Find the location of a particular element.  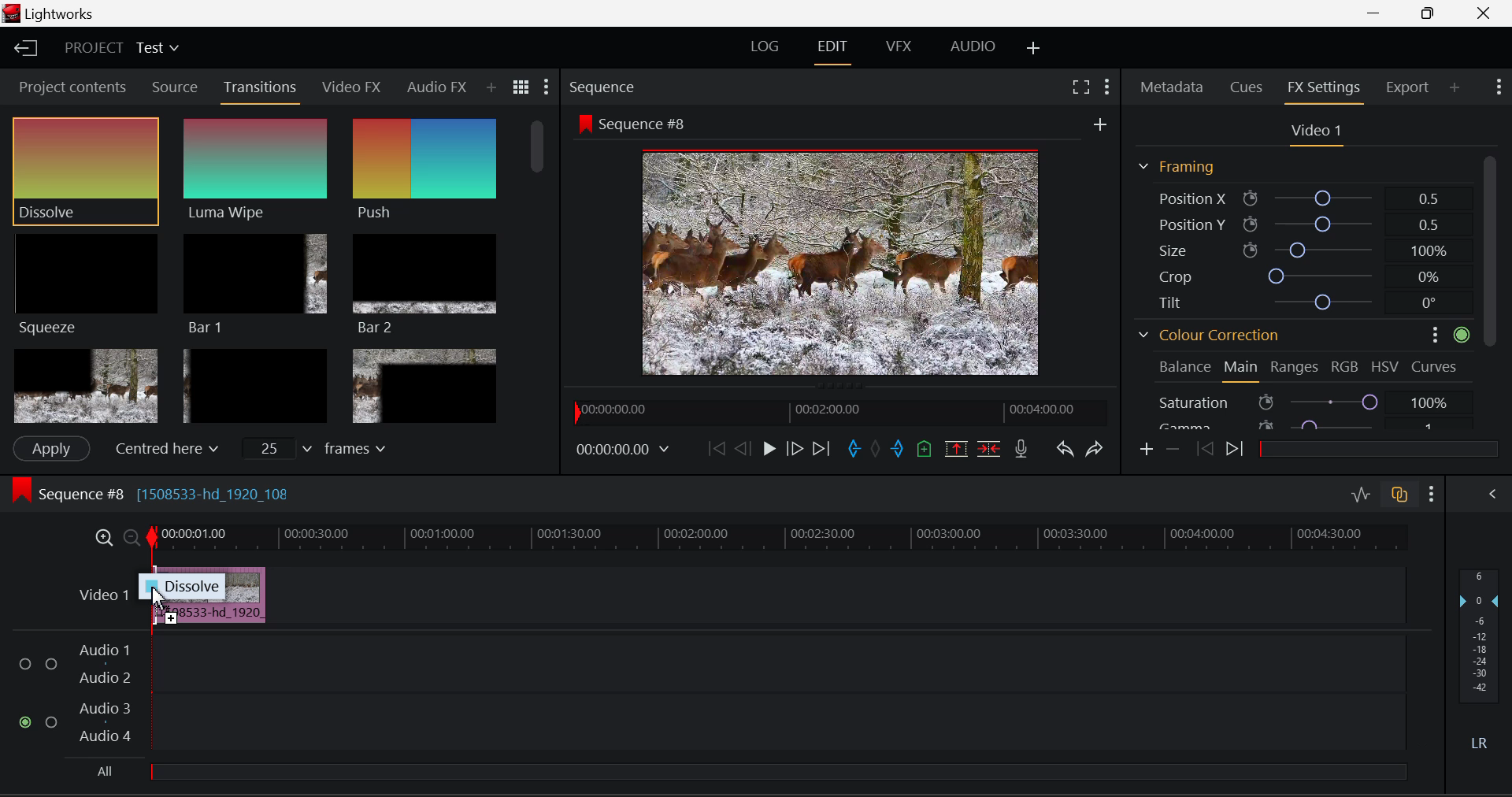

Tilt is located at coordinates (1299, 301).